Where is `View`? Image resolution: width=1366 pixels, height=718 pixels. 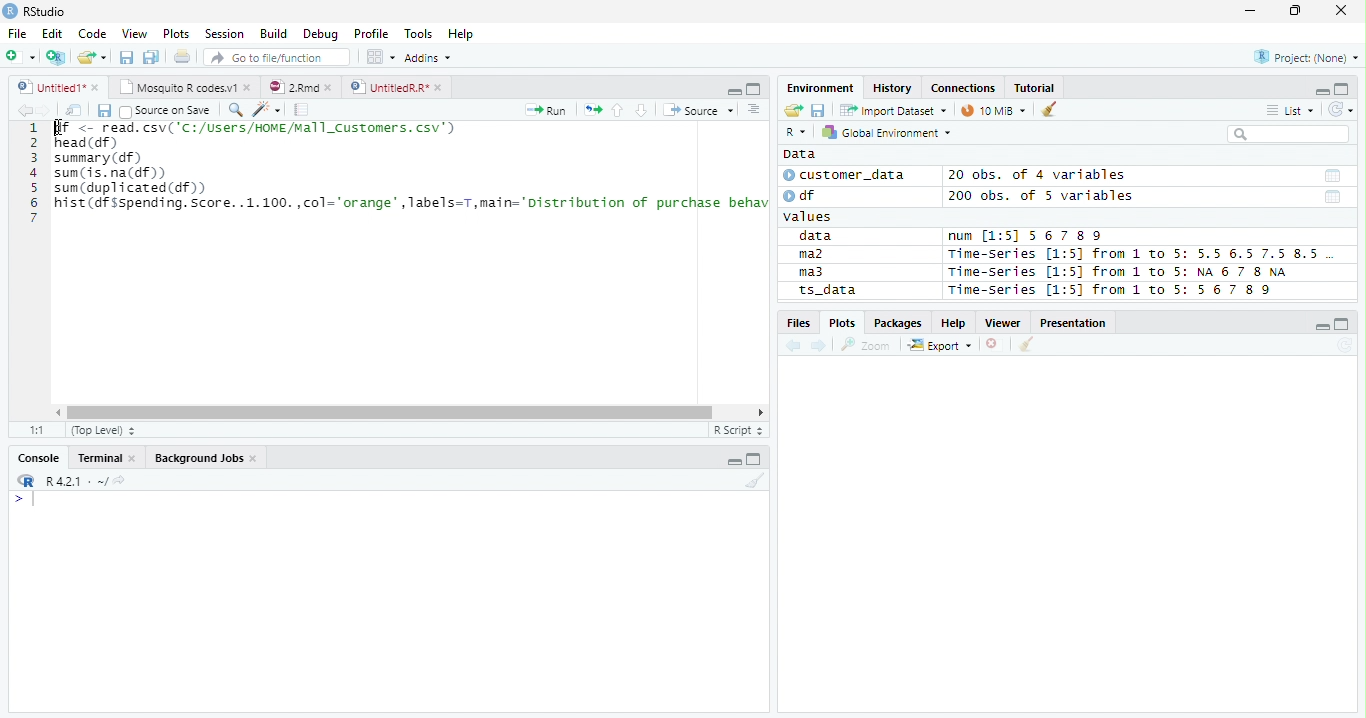 View is located at coordinates (136, 33).